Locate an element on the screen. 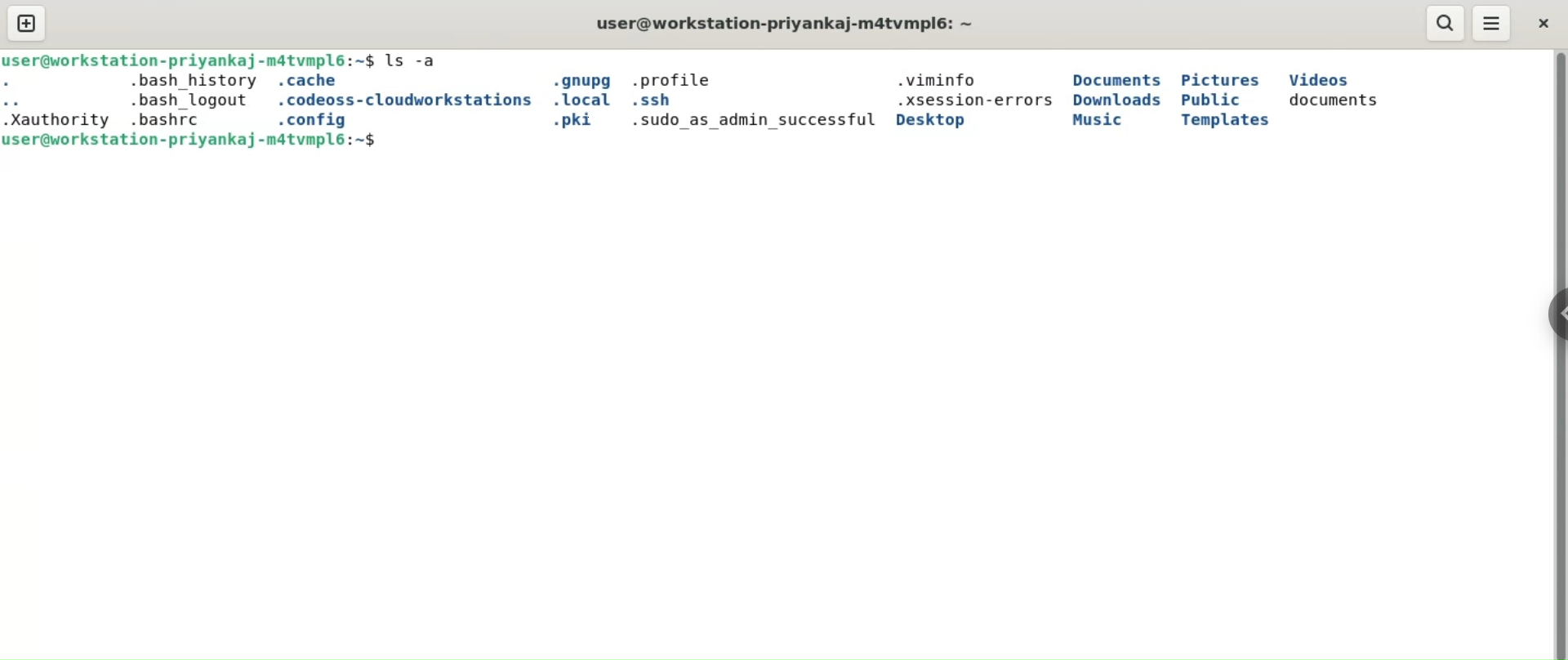 The image size is (1568, 660). .gnupg is located at coordinates (580, 80).